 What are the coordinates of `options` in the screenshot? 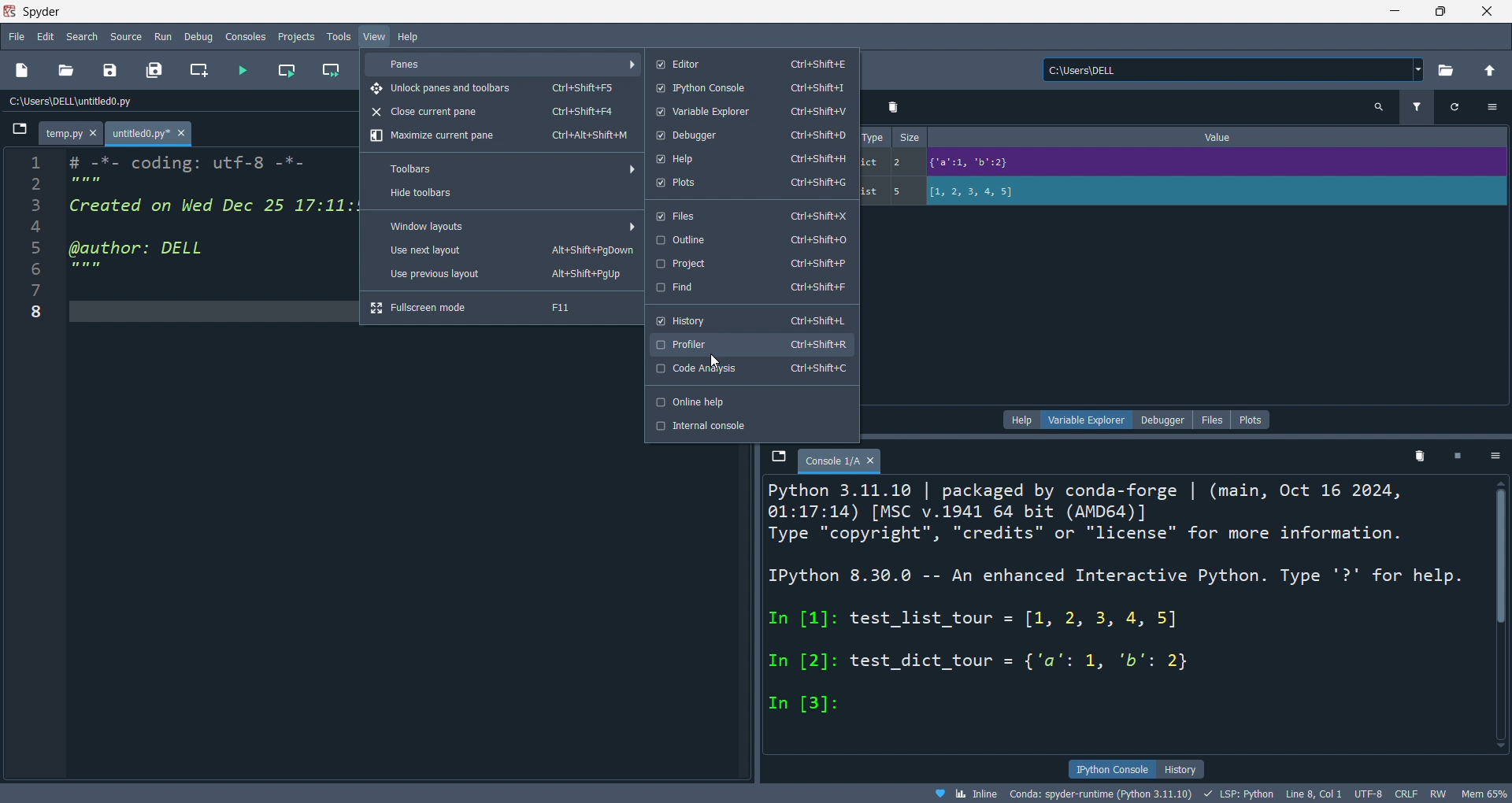 It's located at (1494, 457).